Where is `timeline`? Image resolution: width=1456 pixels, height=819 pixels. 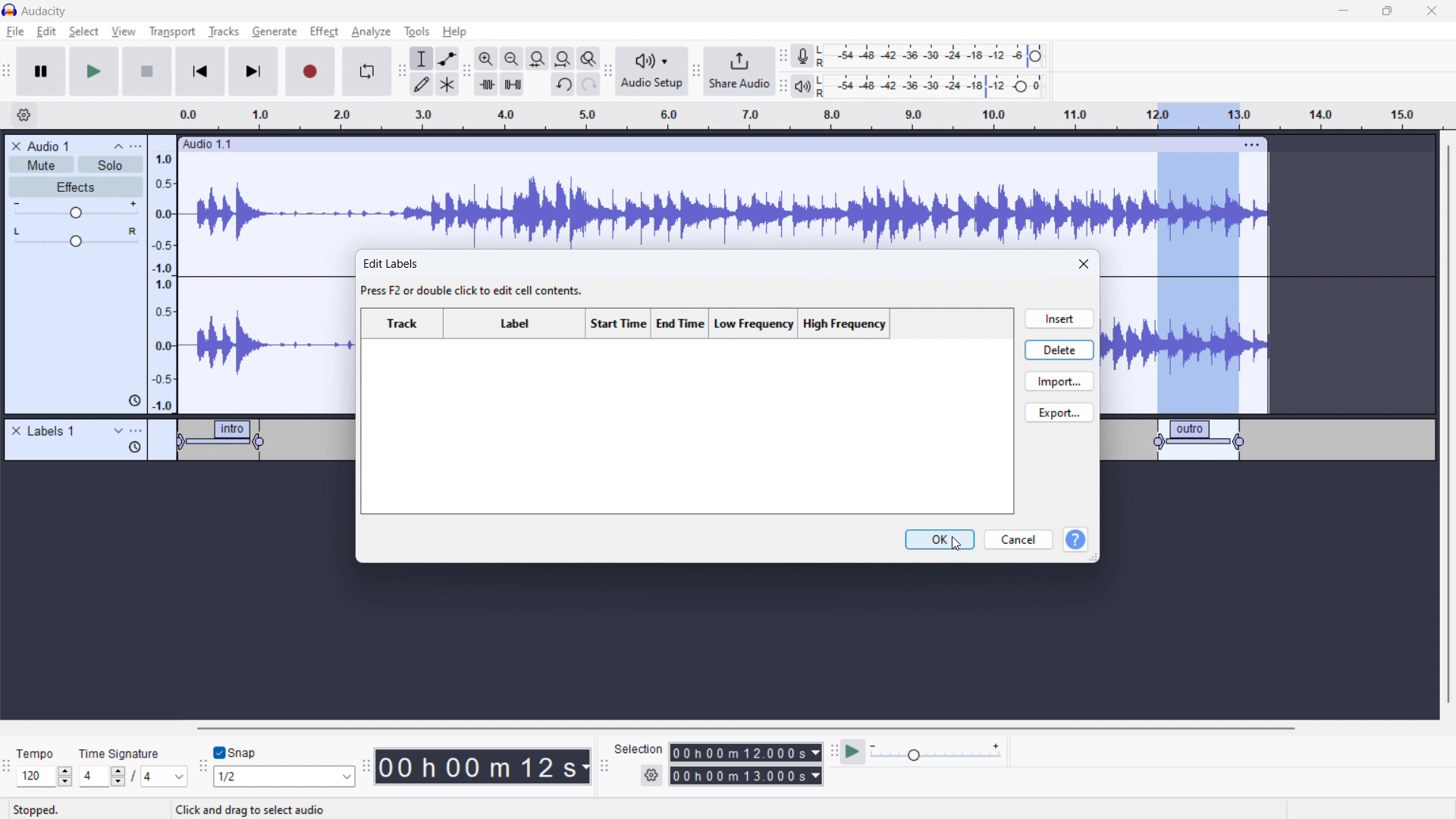
timeline is located at coordinates (180, 510).